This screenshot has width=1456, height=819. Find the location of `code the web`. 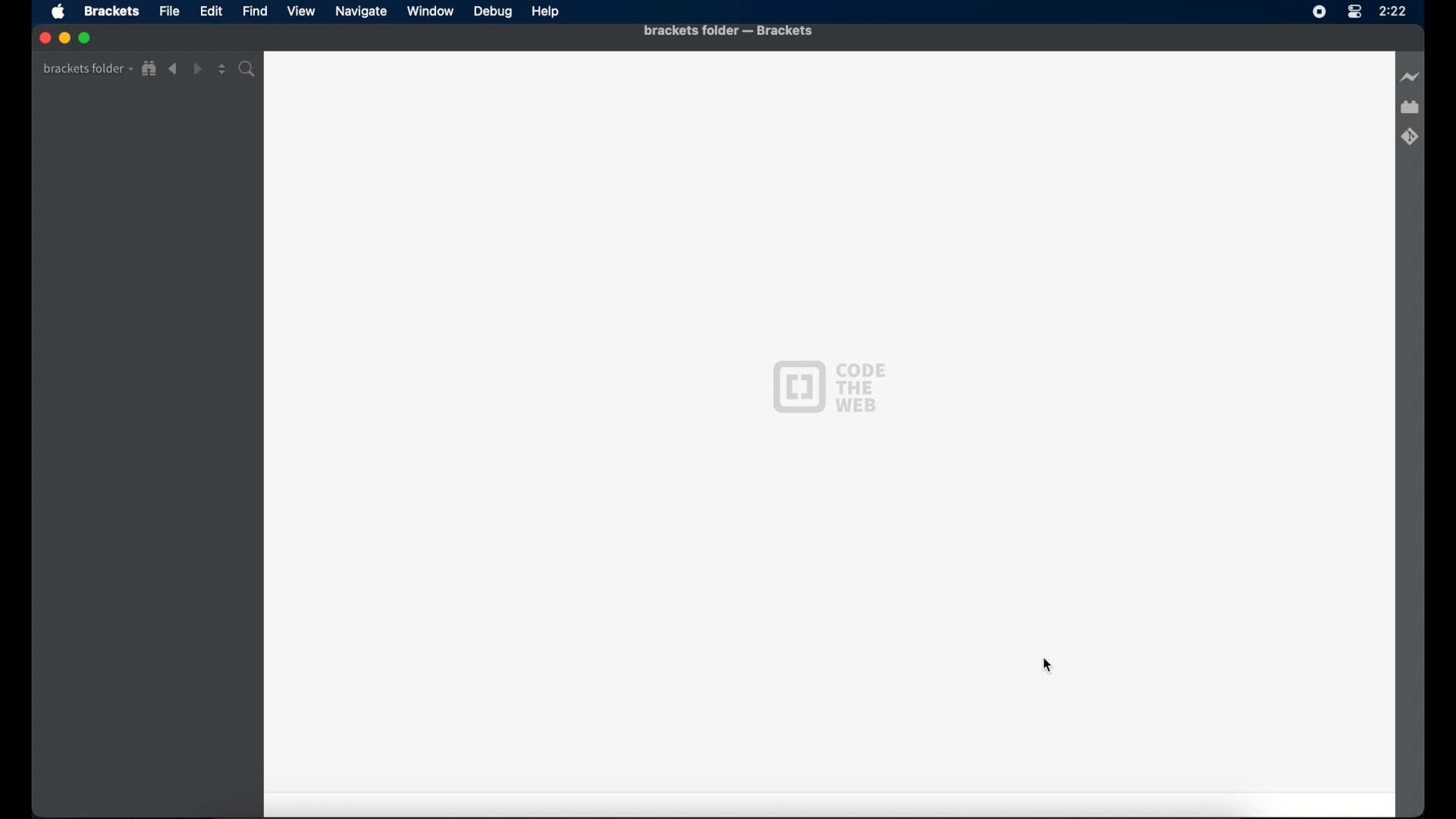

code the web is located at coordinates (828, 387).